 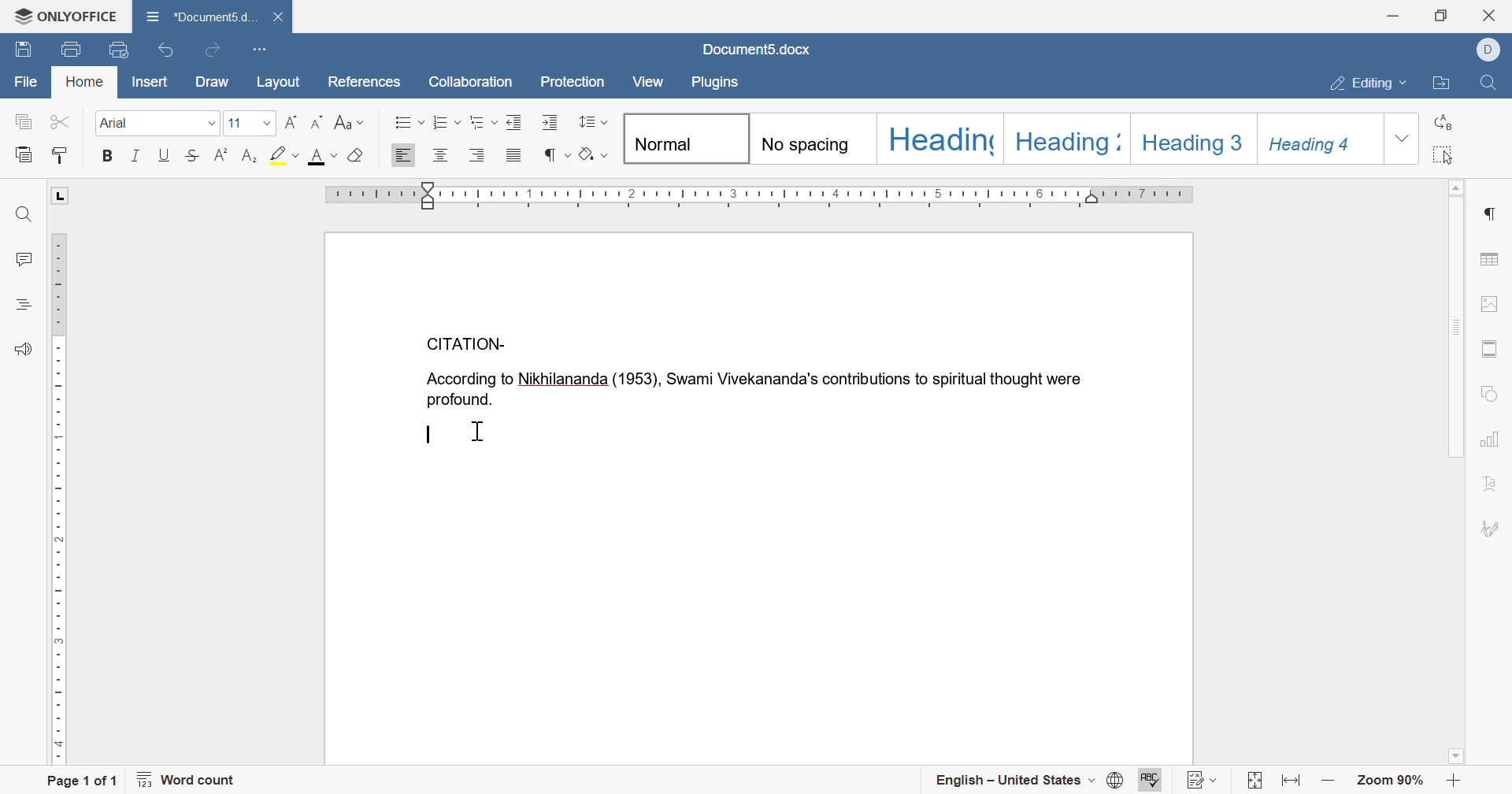 What do you see at coordinates (715, 83) in the screenshot?
I see `plugins` at bounding box center [715, 83].